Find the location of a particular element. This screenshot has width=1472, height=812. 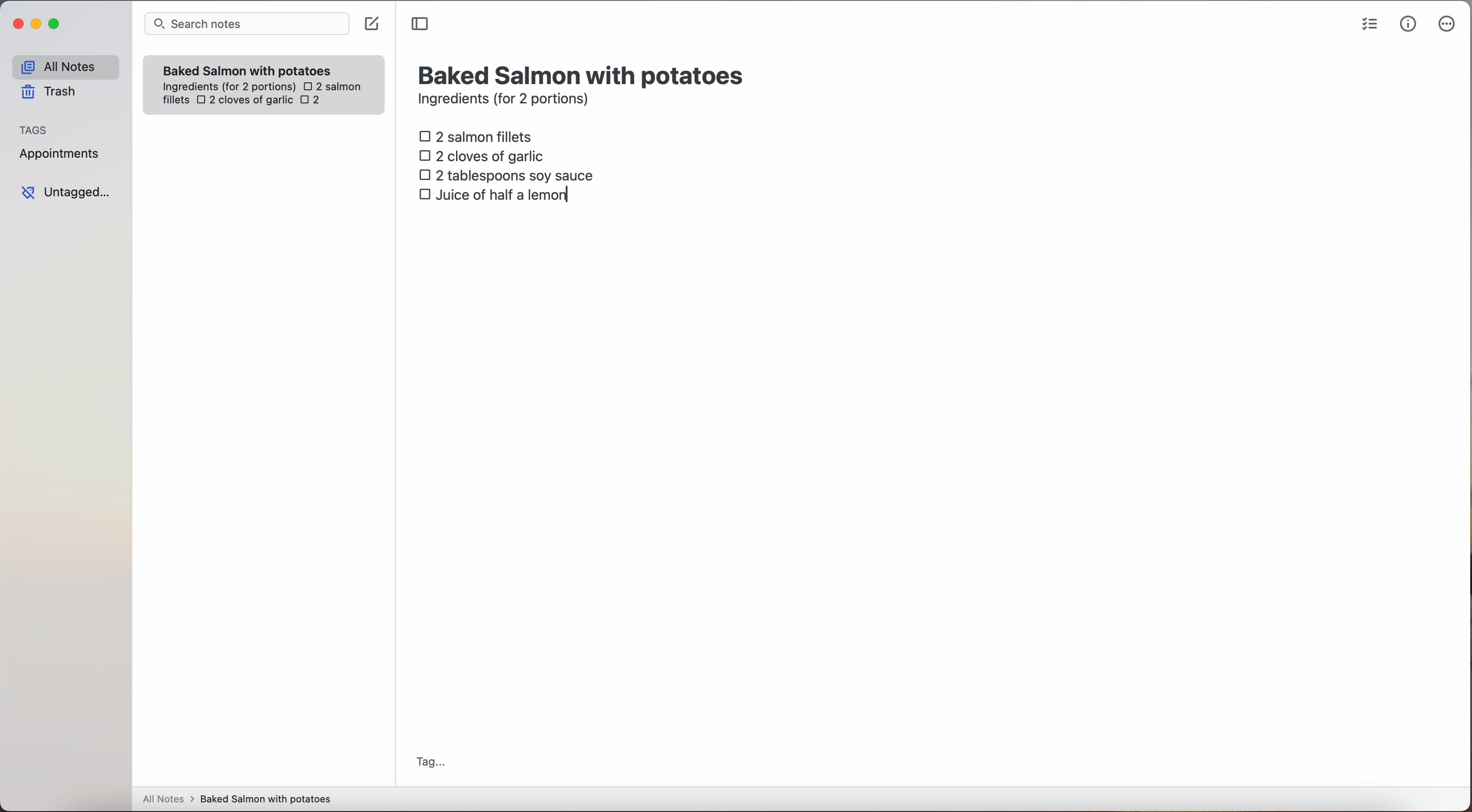

appointments tag is located at coordinates (61, 151).